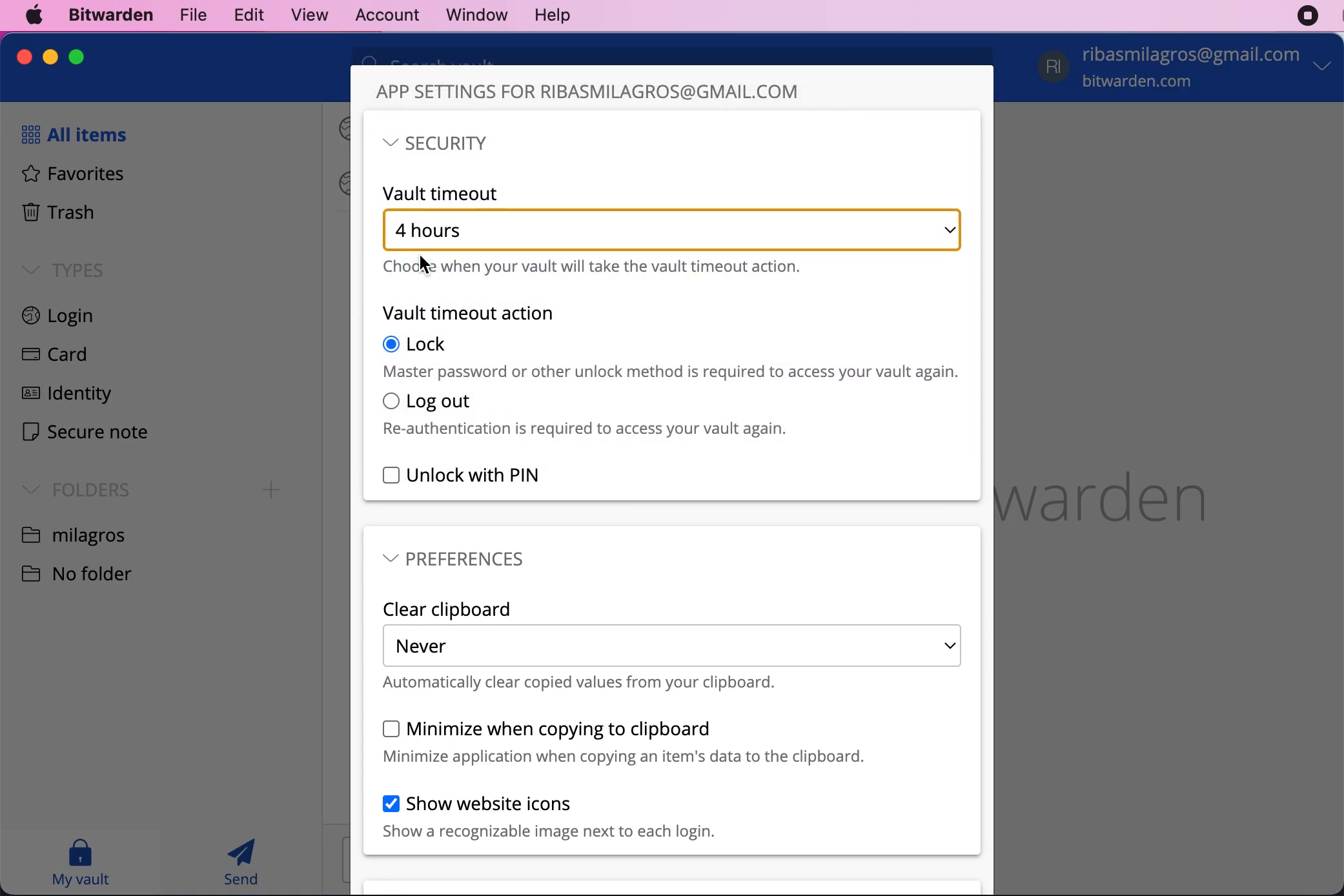 This screenshot has width=1344, height=896. Describe the element at coordinates (425, 264) in the screenshot. I see `Cursor` at that location.